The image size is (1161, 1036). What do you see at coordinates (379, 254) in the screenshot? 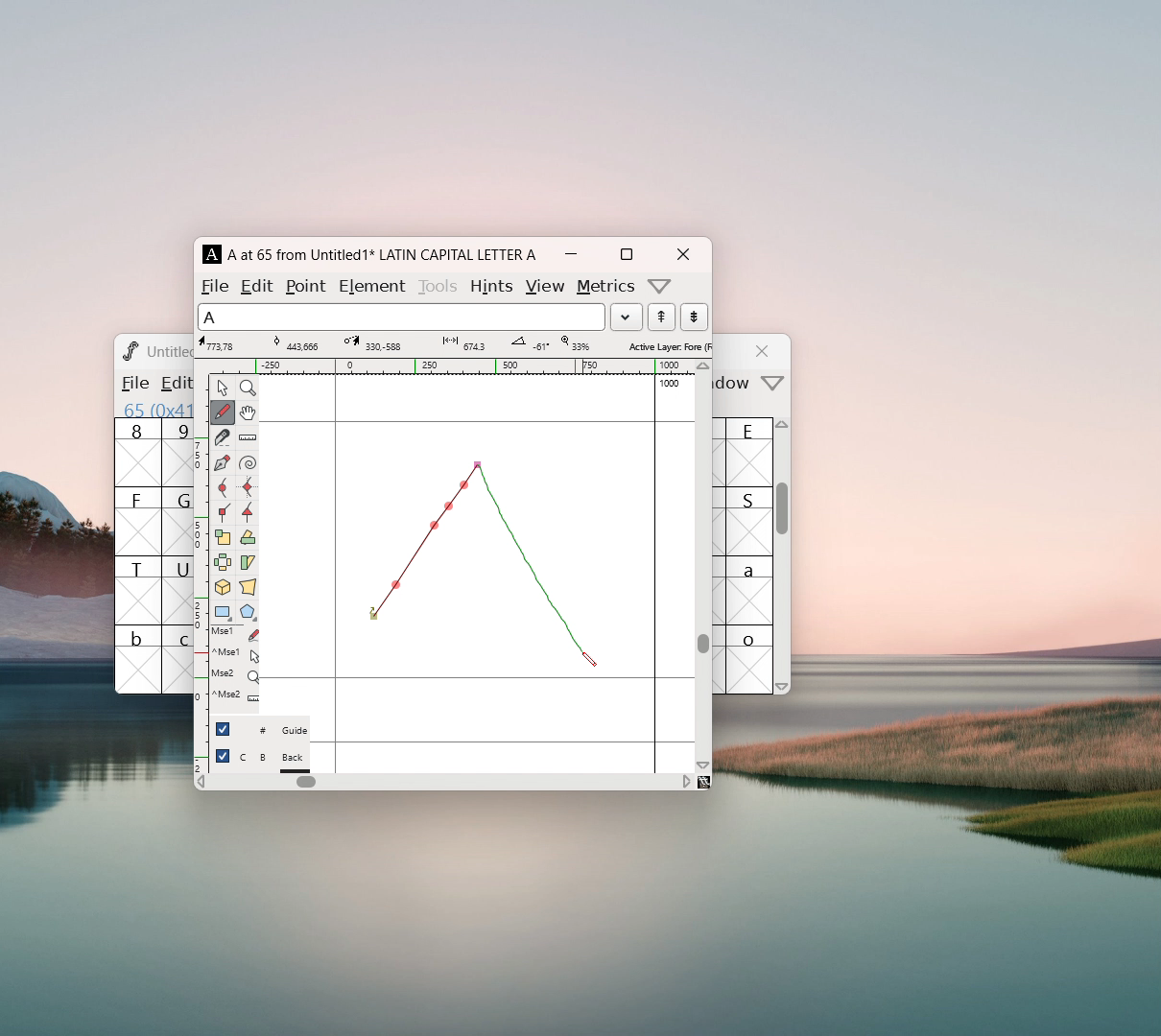
I see `A at 65 from Untitled1 LATIN CAPITAL LETTER A` at bounding box center [379, 254].